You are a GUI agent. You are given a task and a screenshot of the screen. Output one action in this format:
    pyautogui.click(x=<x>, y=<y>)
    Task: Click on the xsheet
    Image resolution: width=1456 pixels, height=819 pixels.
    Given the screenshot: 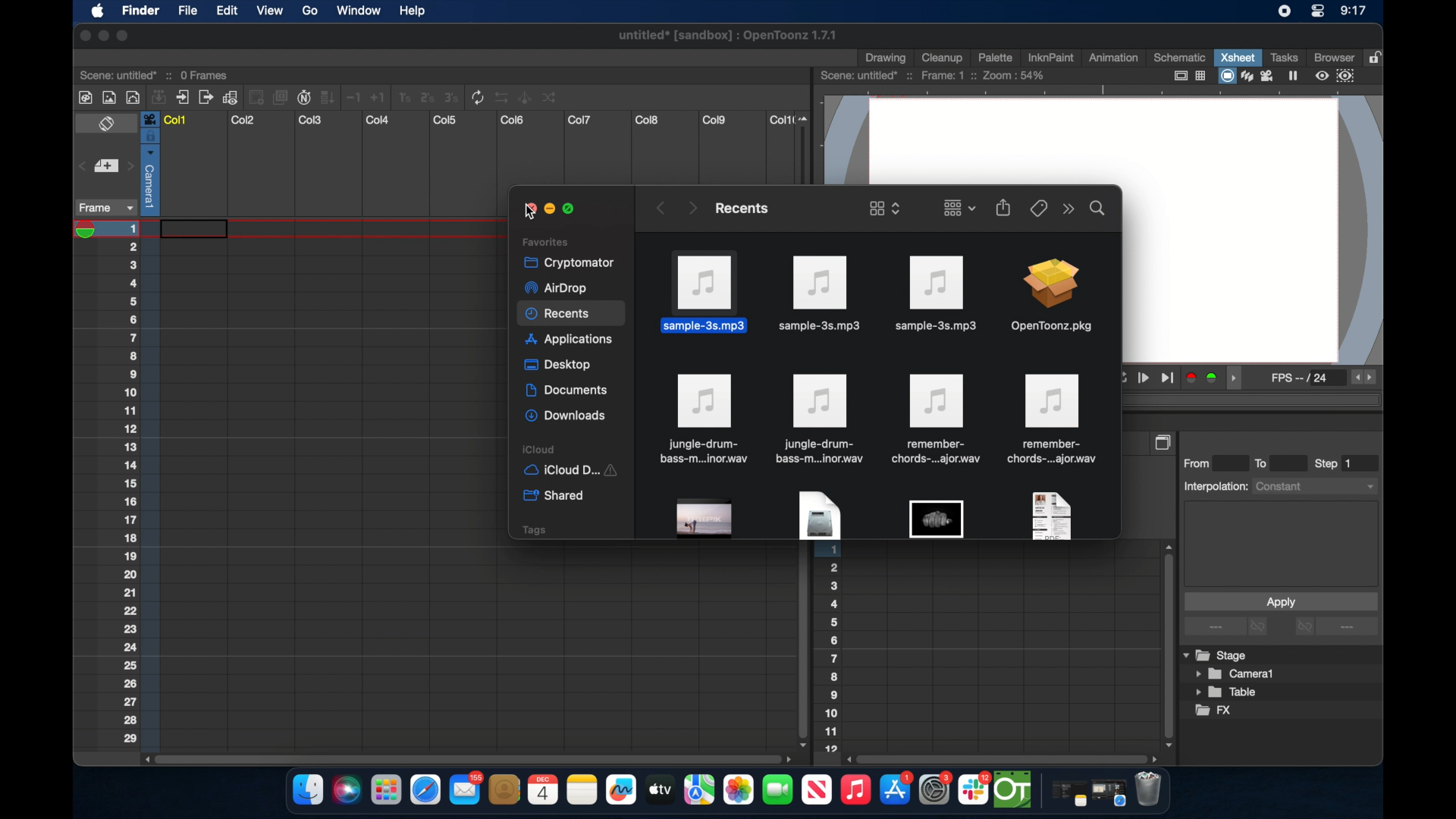 What is the action you would take?
    pyautogui.click(x=1238, y=57)
    